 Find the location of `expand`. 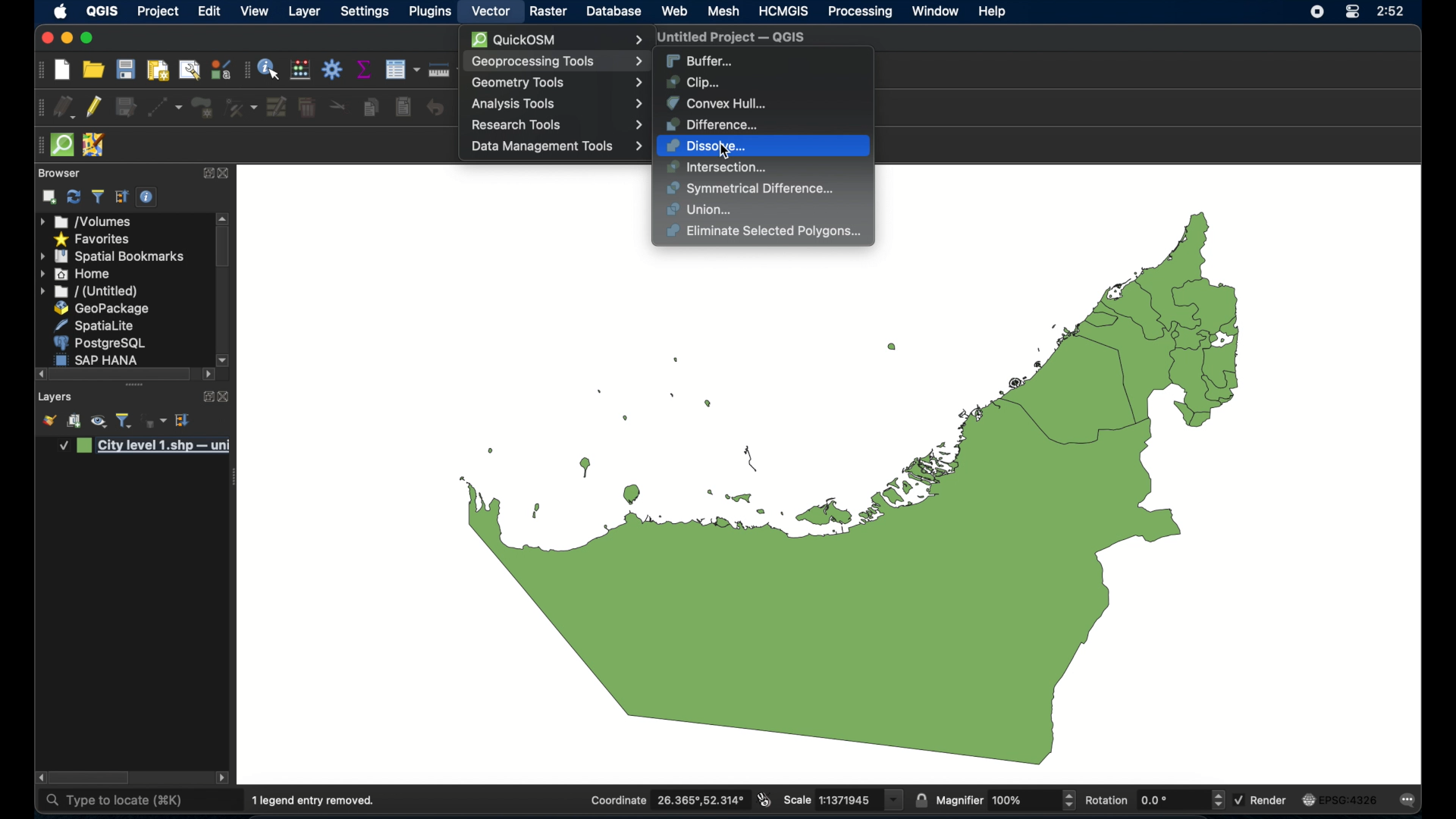

expand is located at coordinates (204, 395).